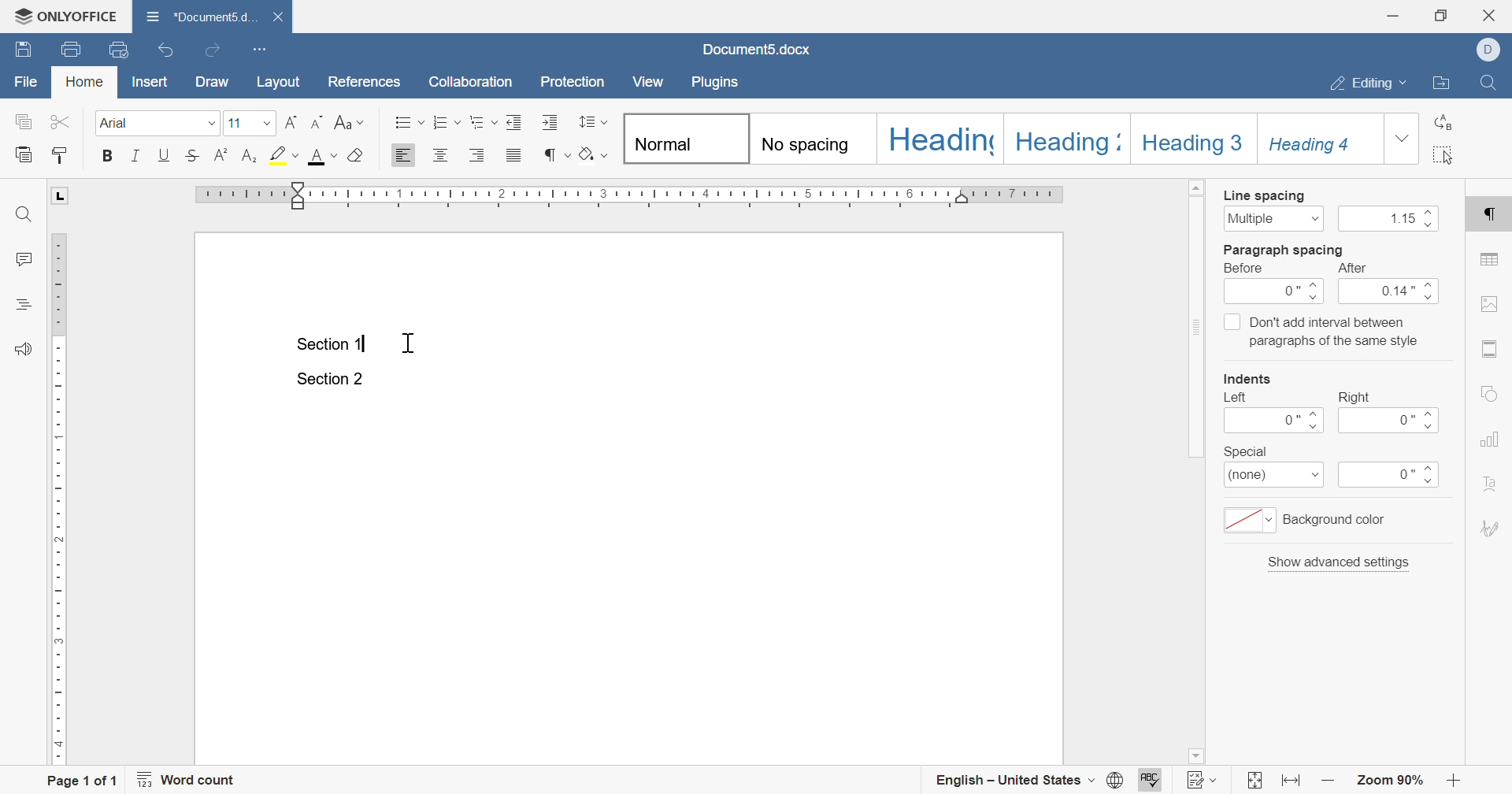  I want to click on page 1 of 1, so click(86, 779).